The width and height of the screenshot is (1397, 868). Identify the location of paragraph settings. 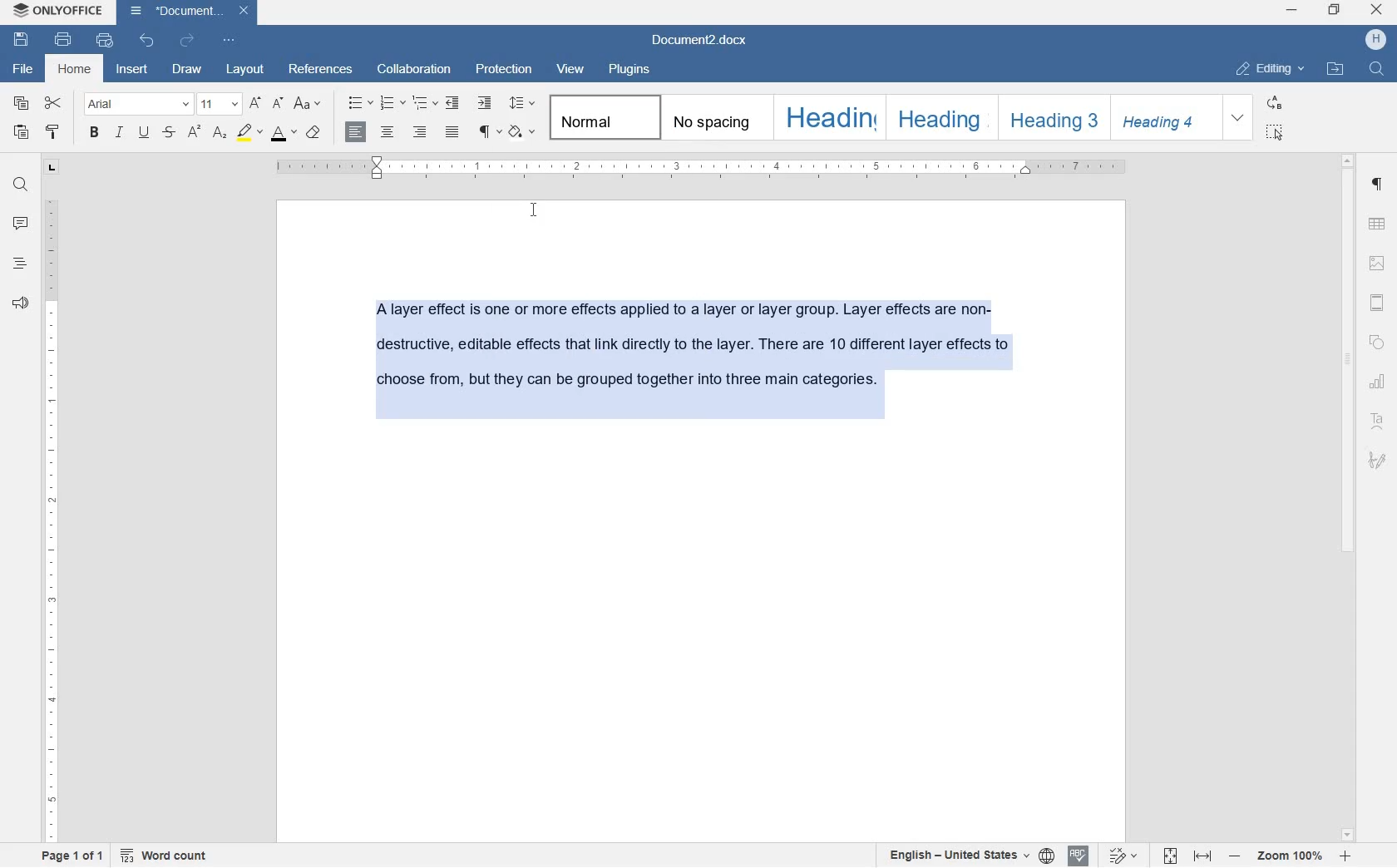
(1379, 188).